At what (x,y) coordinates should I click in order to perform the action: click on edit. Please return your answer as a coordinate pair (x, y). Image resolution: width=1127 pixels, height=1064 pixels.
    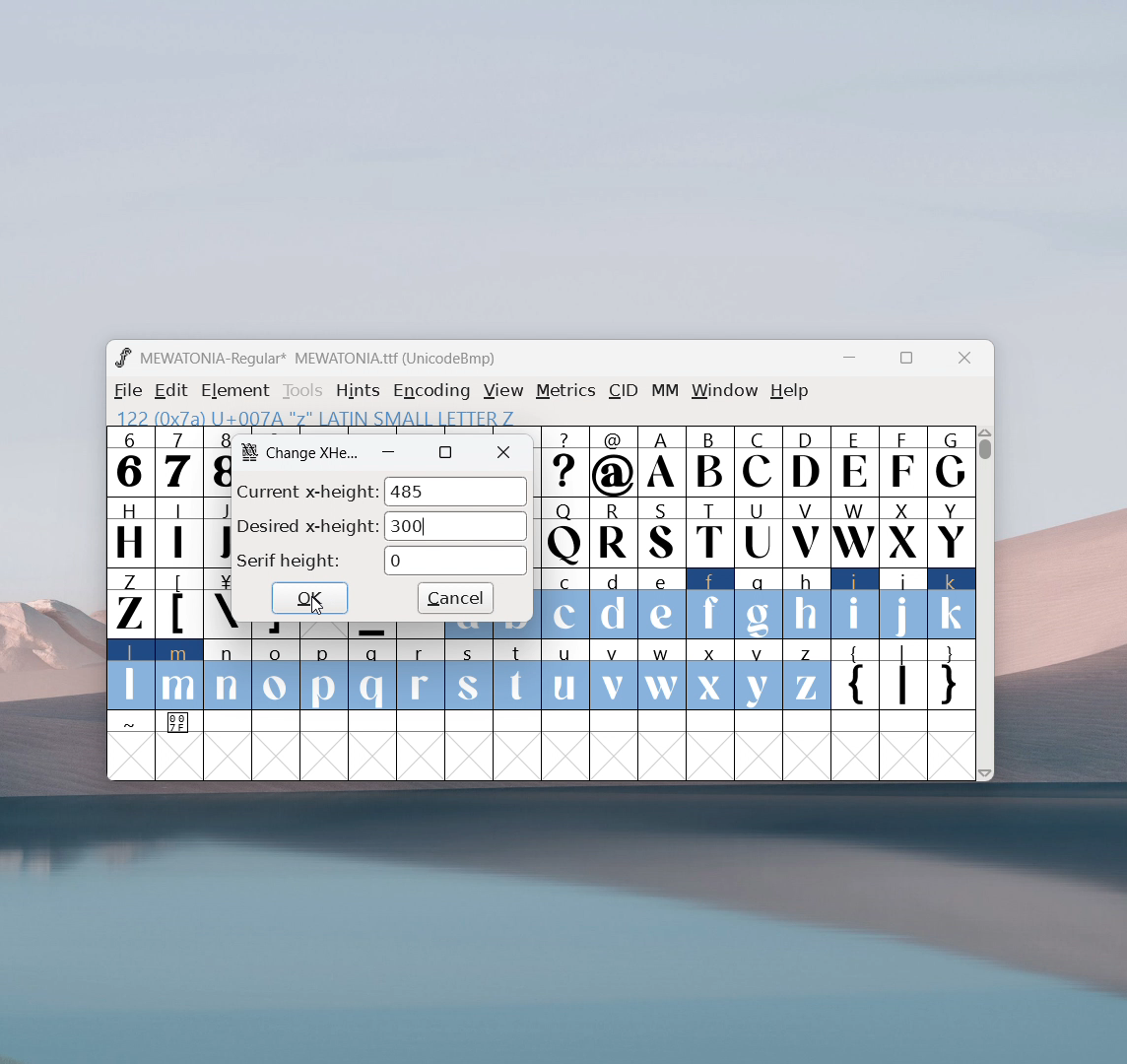
    Looking at the image, I should click on (172, 391).